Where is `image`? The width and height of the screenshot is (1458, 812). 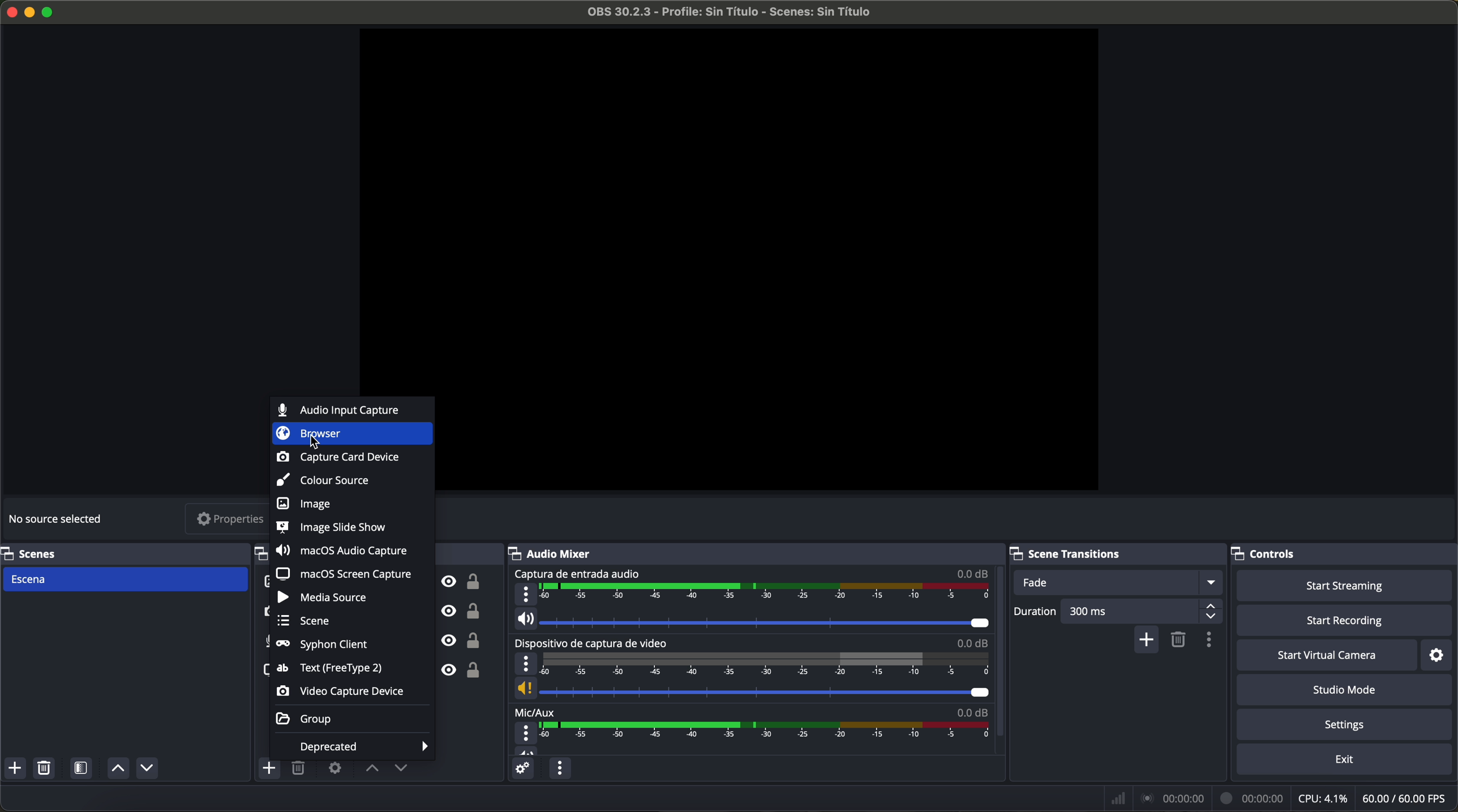
image is located at coordinates (304, 505).